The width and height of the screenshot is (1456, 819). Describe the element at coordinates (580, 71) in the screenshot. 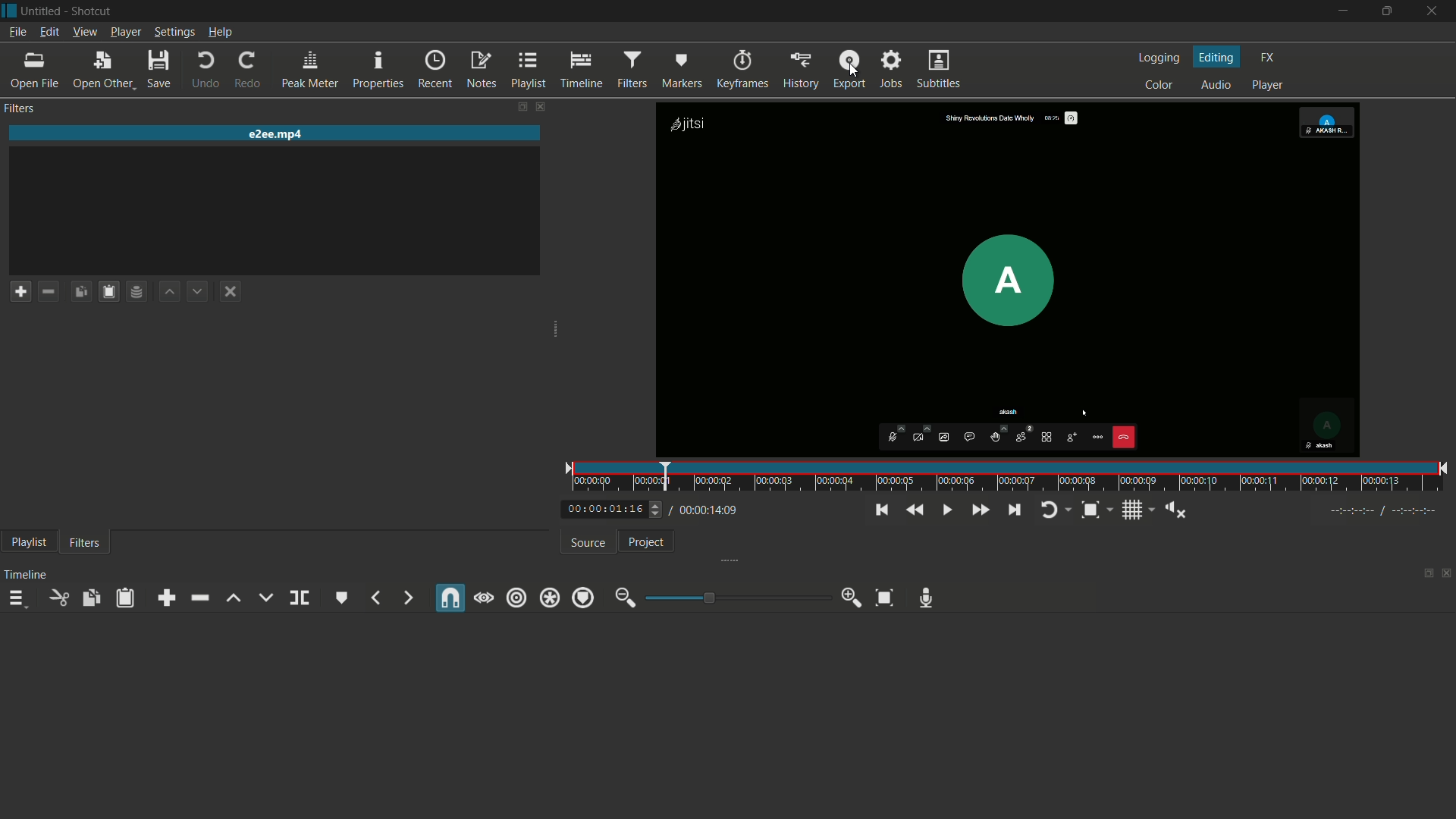

I see `timeline` at that location.